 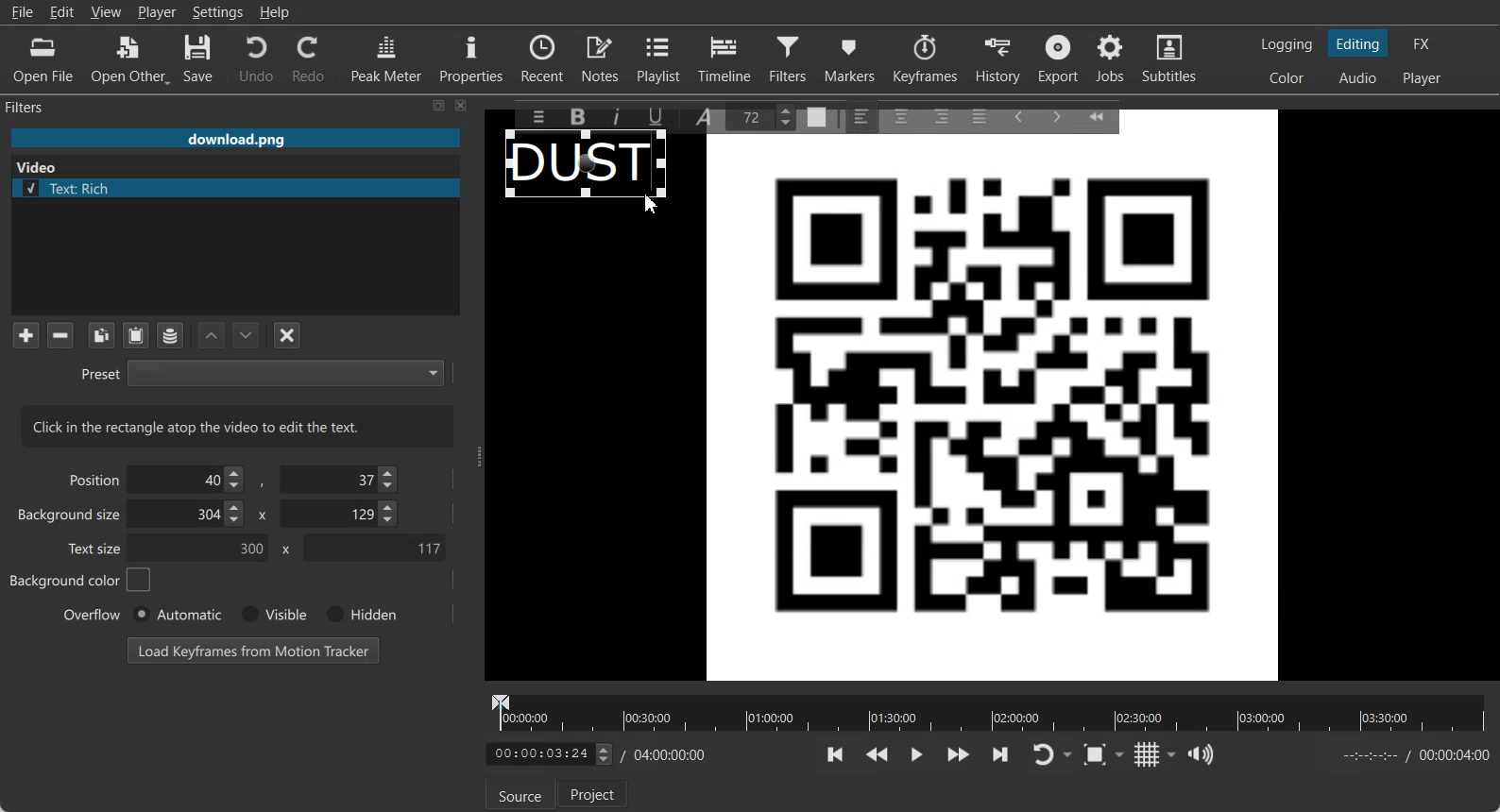 What do you see at coordinates (81, 580) in the screenshot?
I see `Background color` at bounding box center [81, 580].